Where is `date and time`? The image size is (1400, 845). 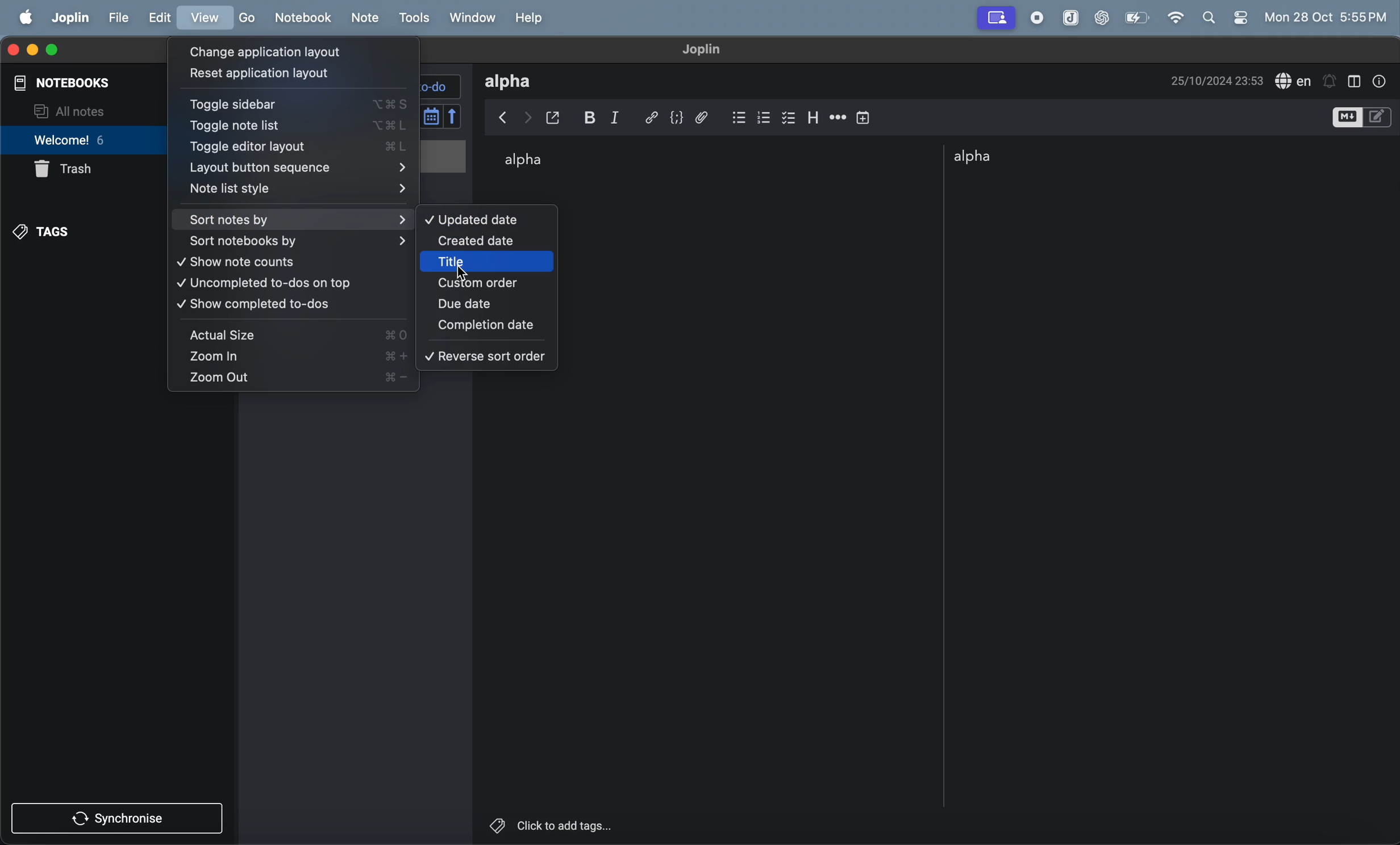 date and time is located at coordinates (1218, 80).